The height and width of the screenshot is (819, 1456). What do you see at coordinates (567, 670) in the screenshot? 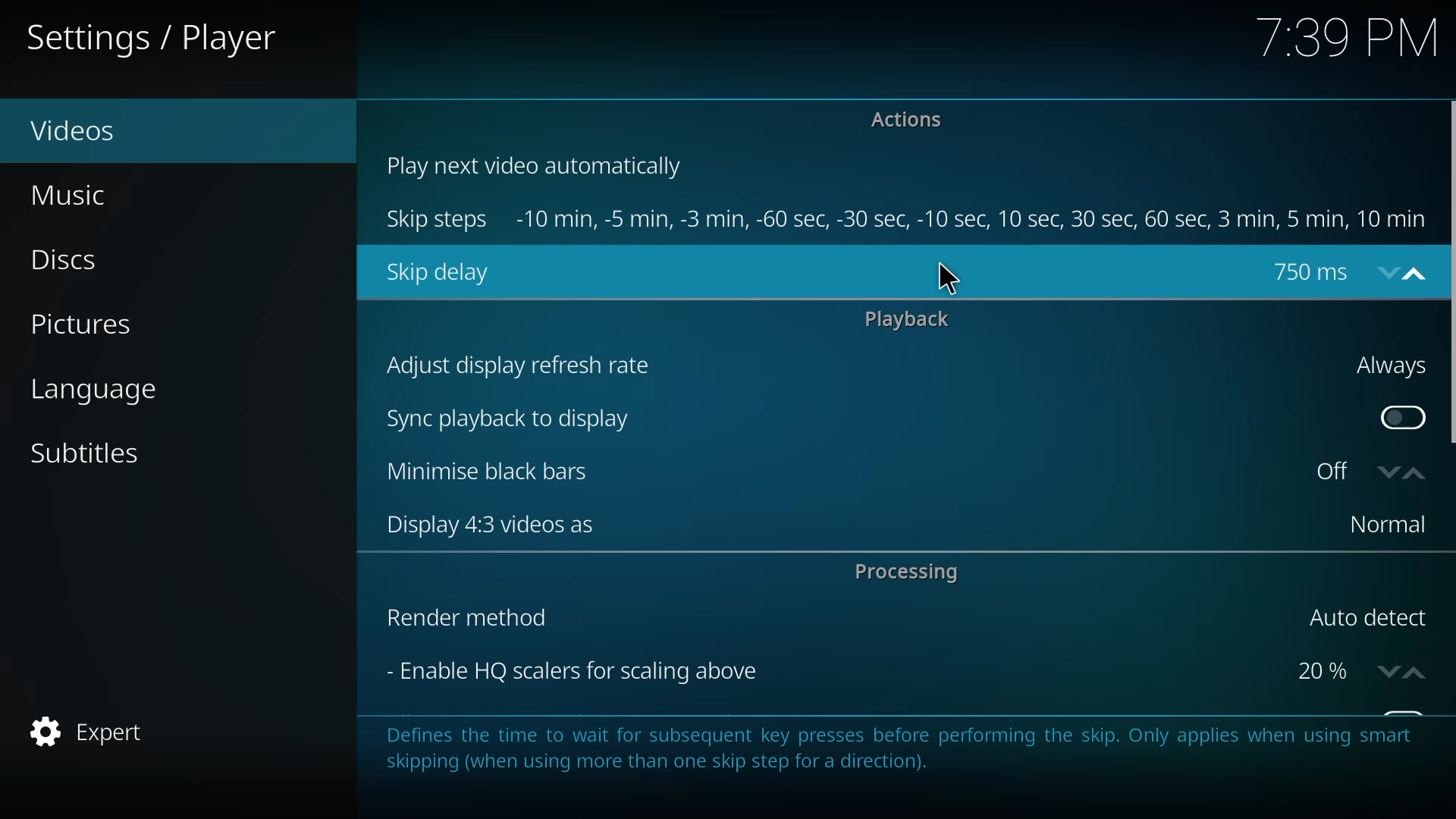
I see `enable hq scalers` at bounding box center [567, 670].